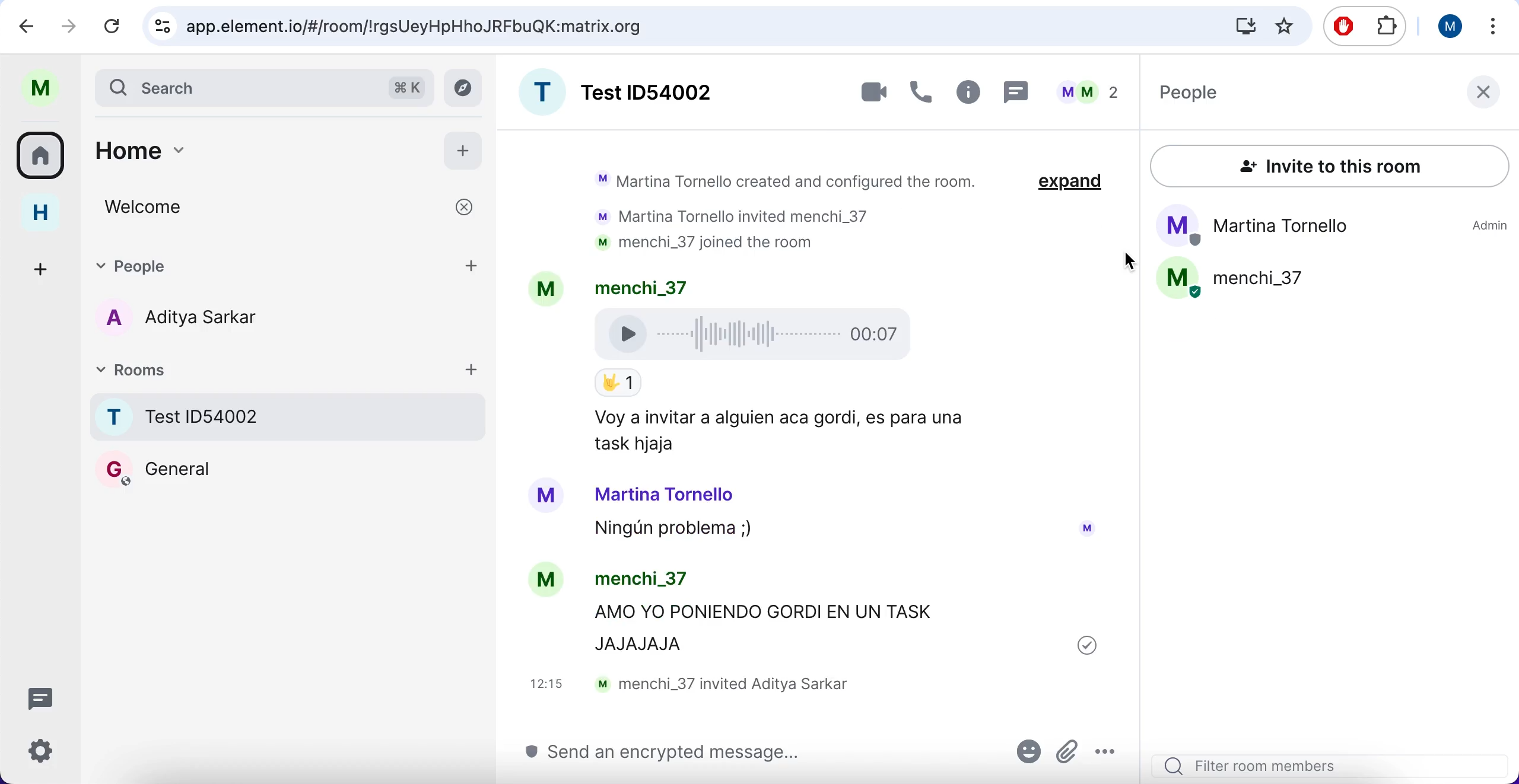 Image resolution: width=1519 pixels, height=784 pixels. Describe the element at coordinates (618, 382) in the screenshot. I see `Emoji` at that location.